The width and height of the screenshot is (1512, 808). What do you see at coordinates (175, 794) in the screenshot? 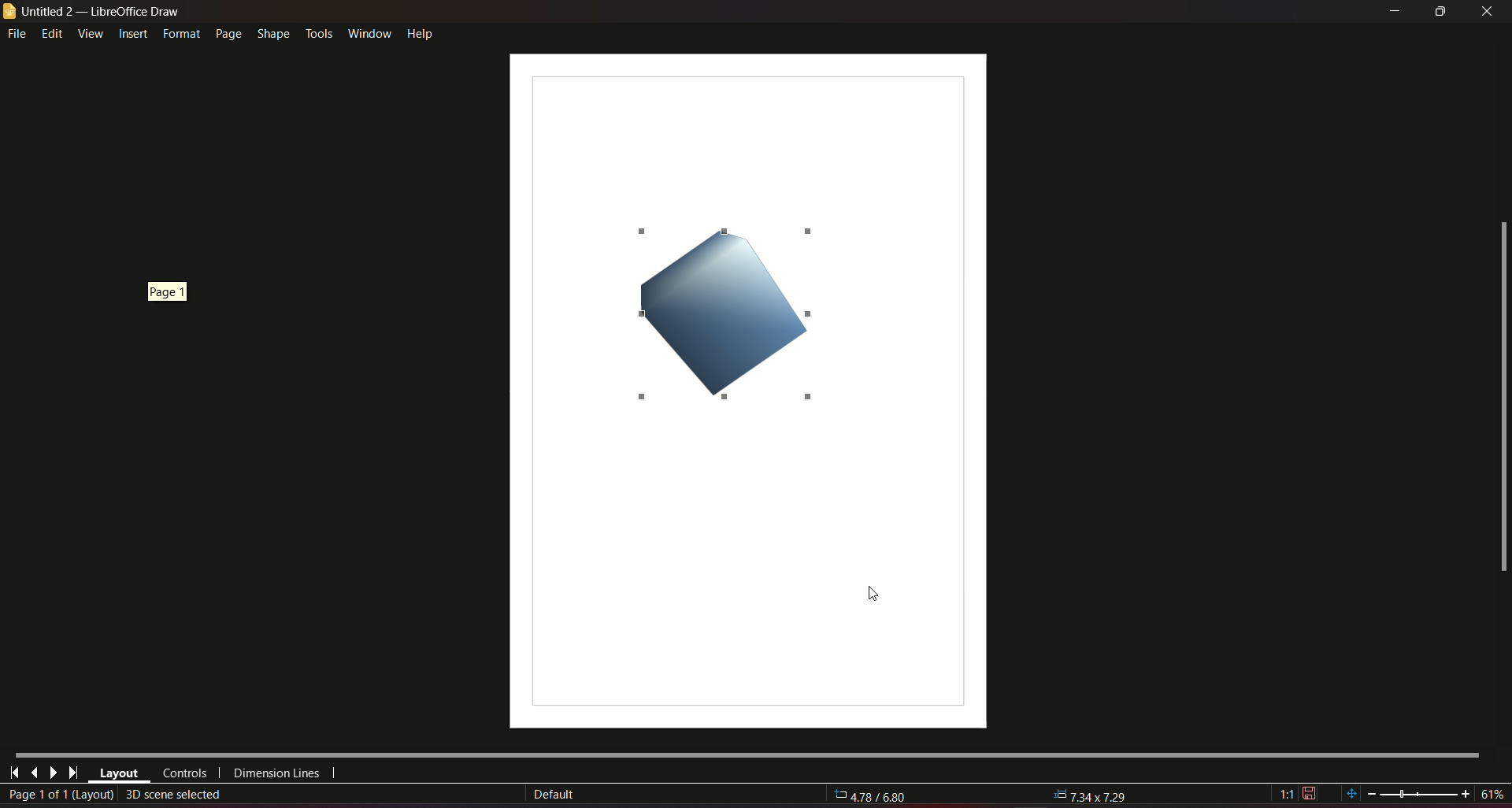
I see `create 3D scene` at bounding box center [175, 794].